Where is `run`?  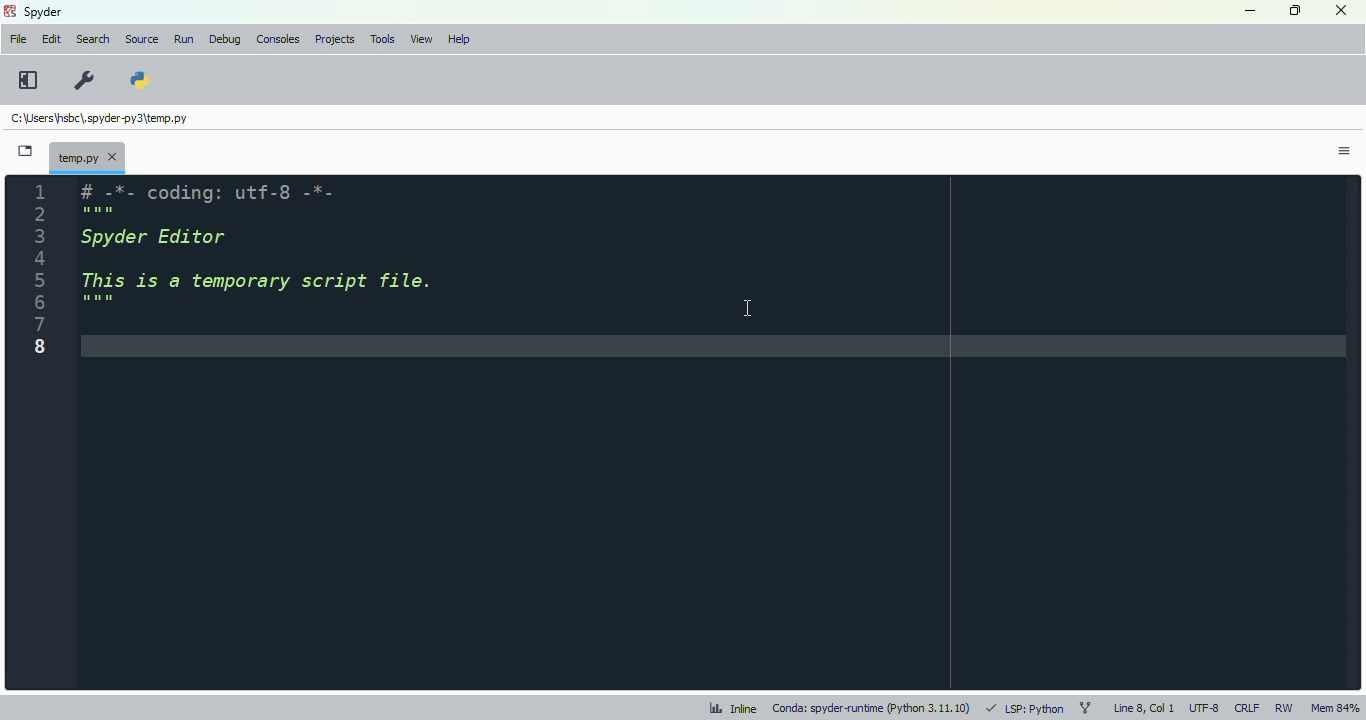
run is located at coordinates (184, 40).